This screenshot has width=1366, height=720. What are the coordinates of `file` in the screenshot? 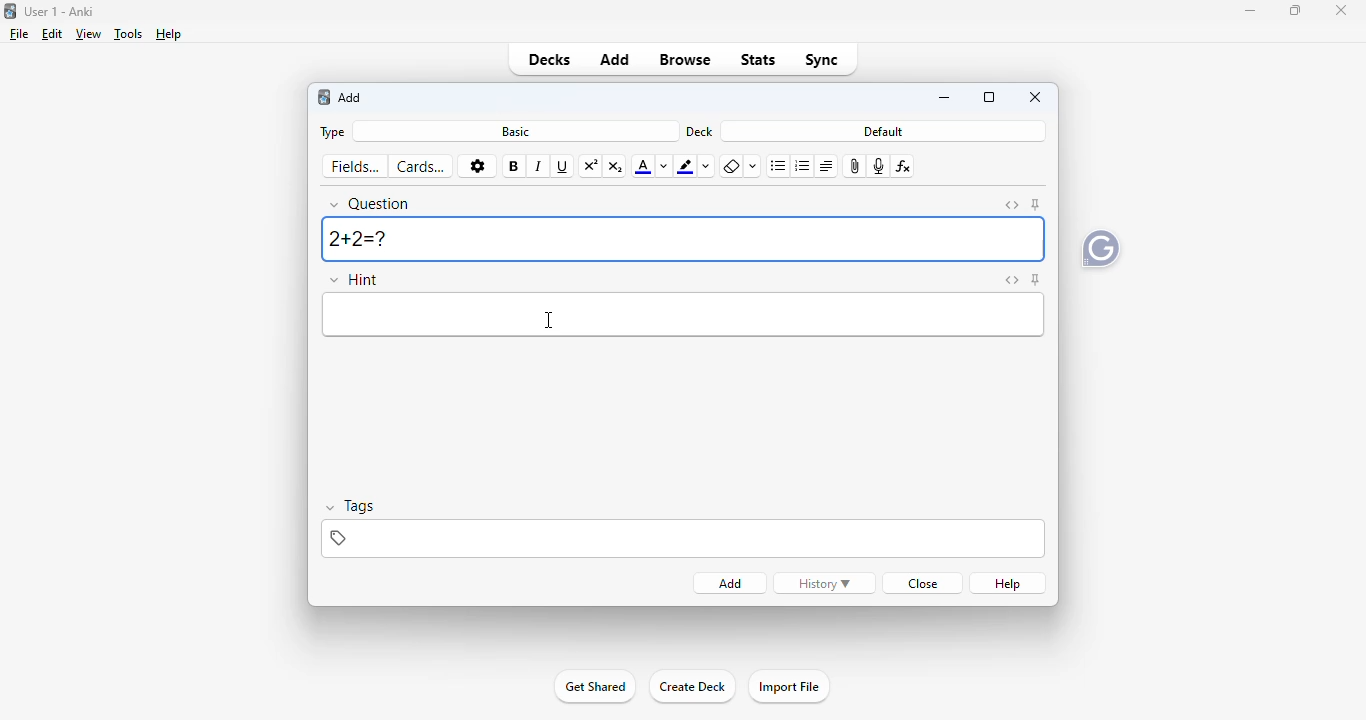 It's located at (20, 34).